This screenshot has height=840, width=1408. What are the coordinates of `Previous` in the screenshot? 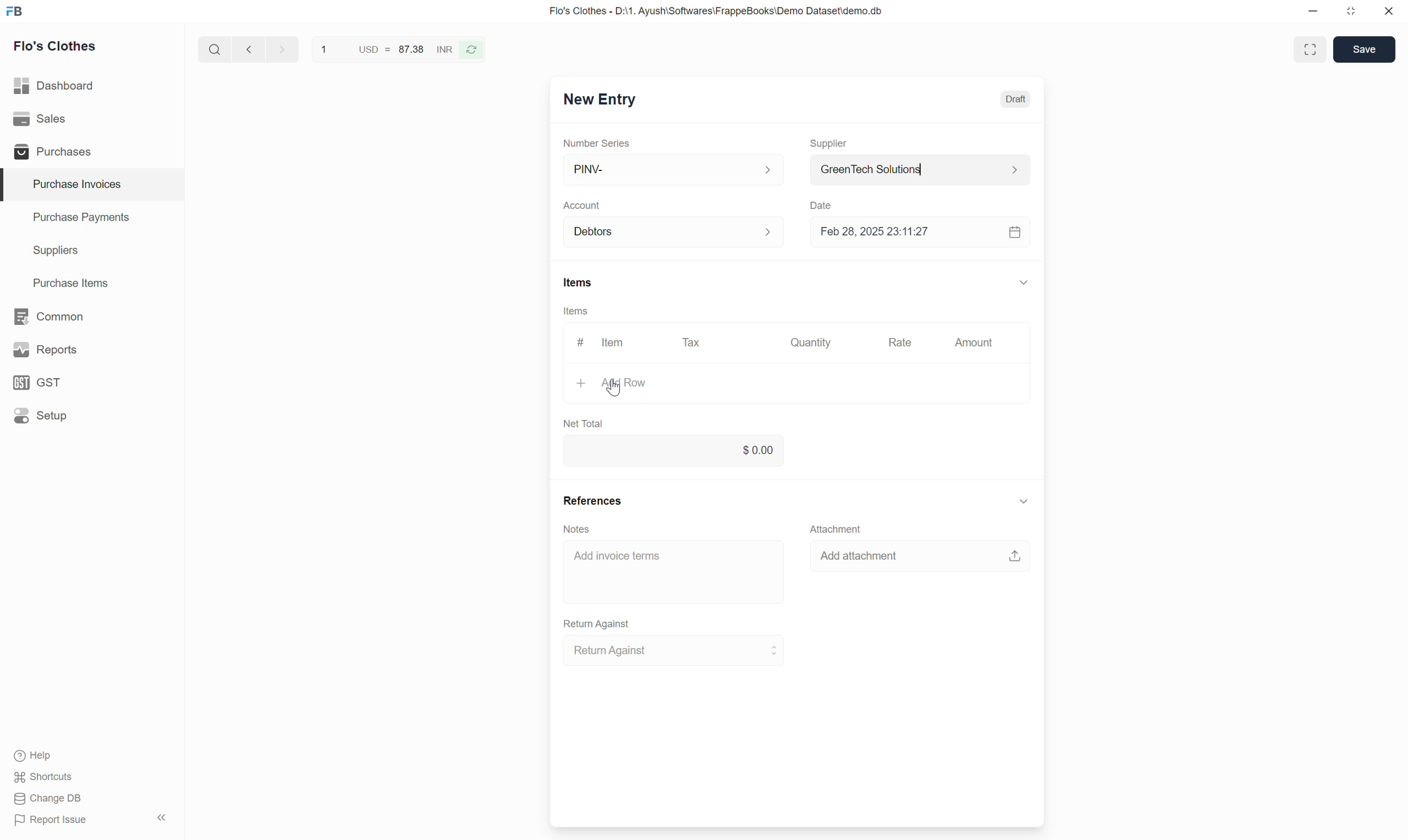 It's located at (249, 49).